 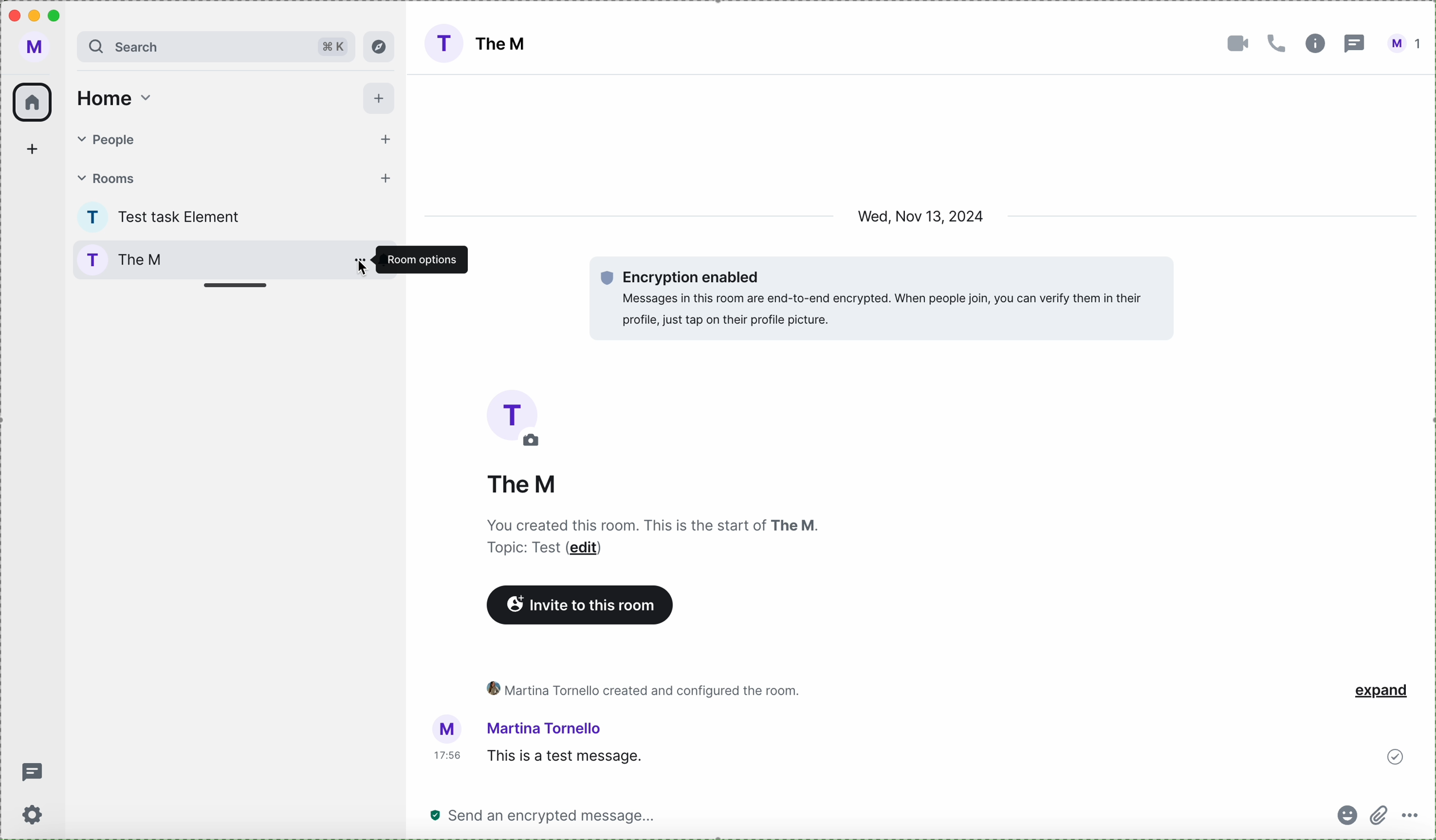 I want to click on emojis, so click(x=1348, y=814).